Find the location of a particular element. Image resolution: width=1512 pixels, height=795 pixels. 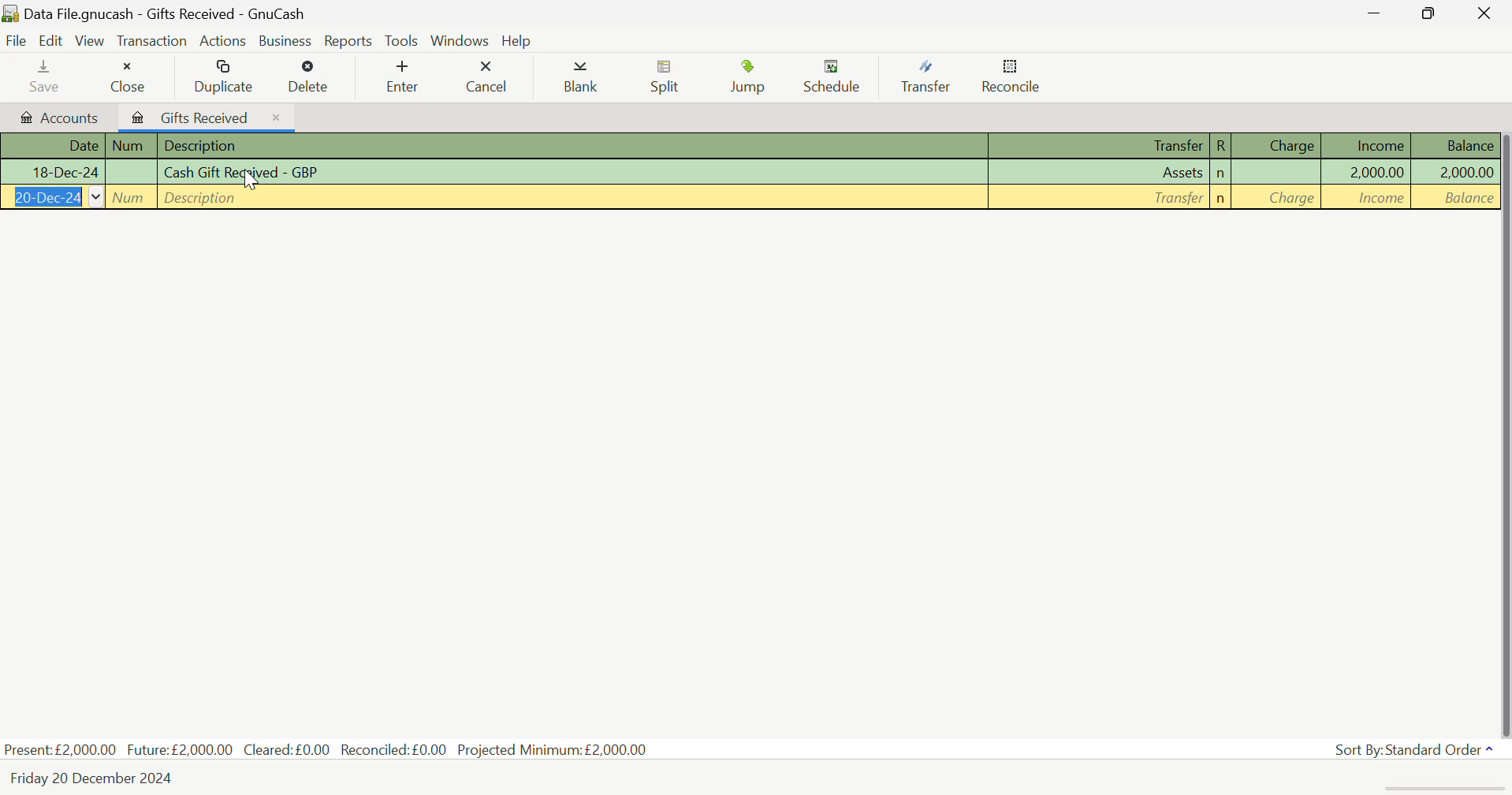

Num is located at coordinates (132, 198).